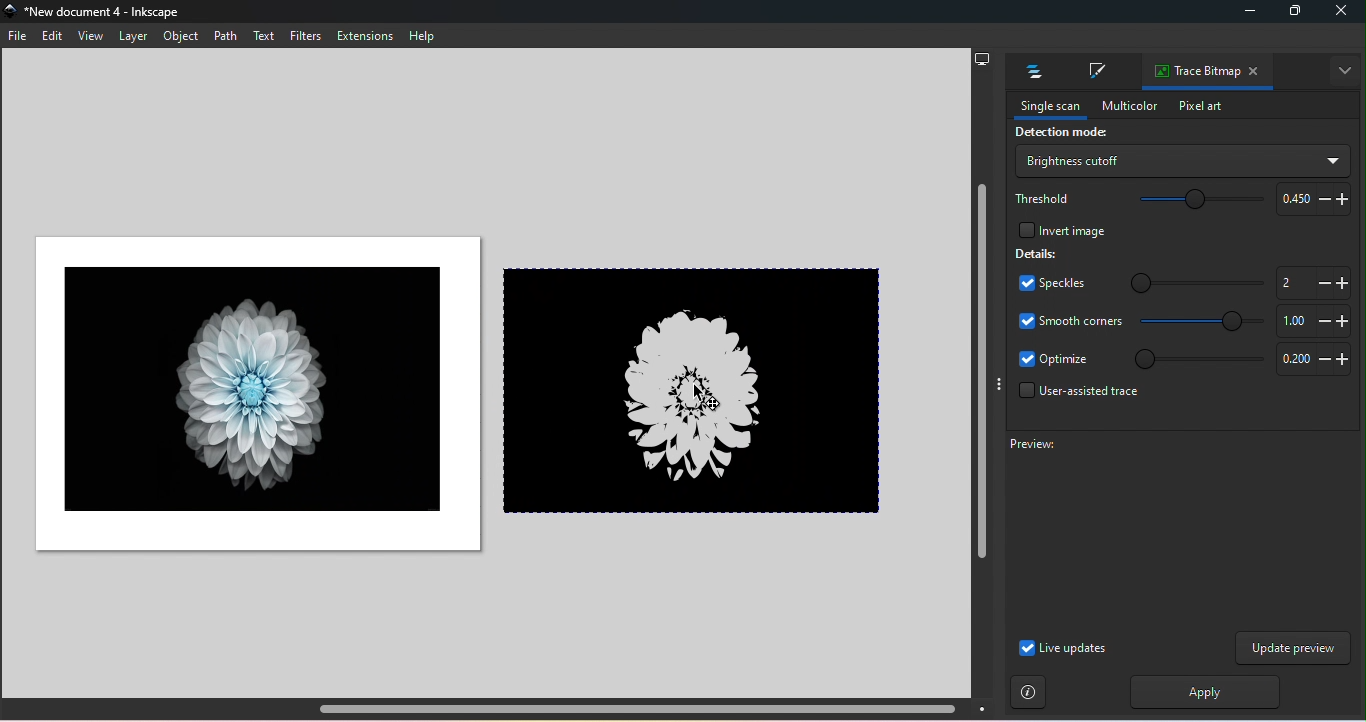 This screenshot has width=1366, height=722. I want to click on Apply, so click(1200, 692).